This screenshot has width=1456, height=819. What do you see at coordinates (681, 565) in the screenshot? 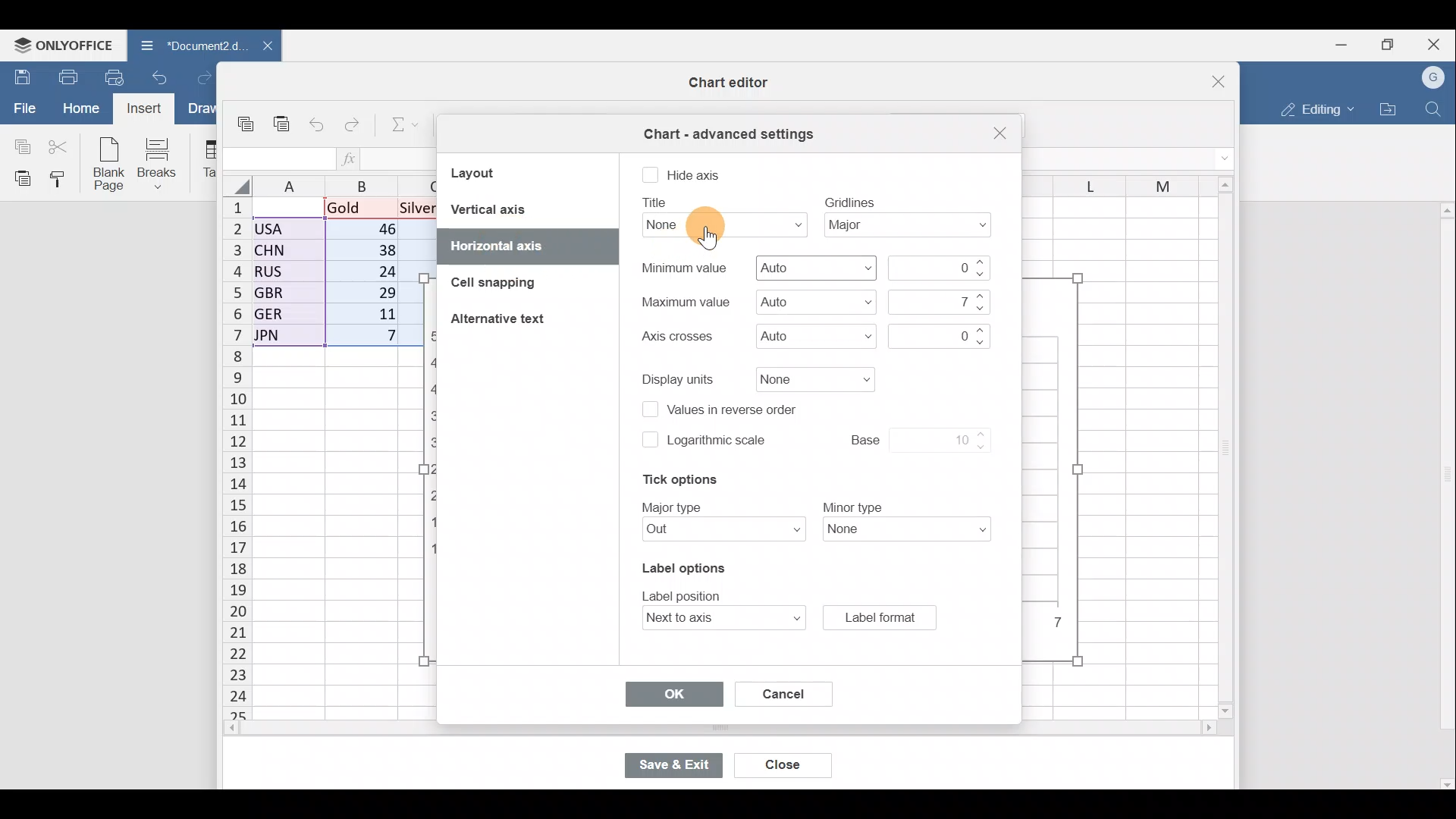
I see `Label options` at bounding box center [681, 565].